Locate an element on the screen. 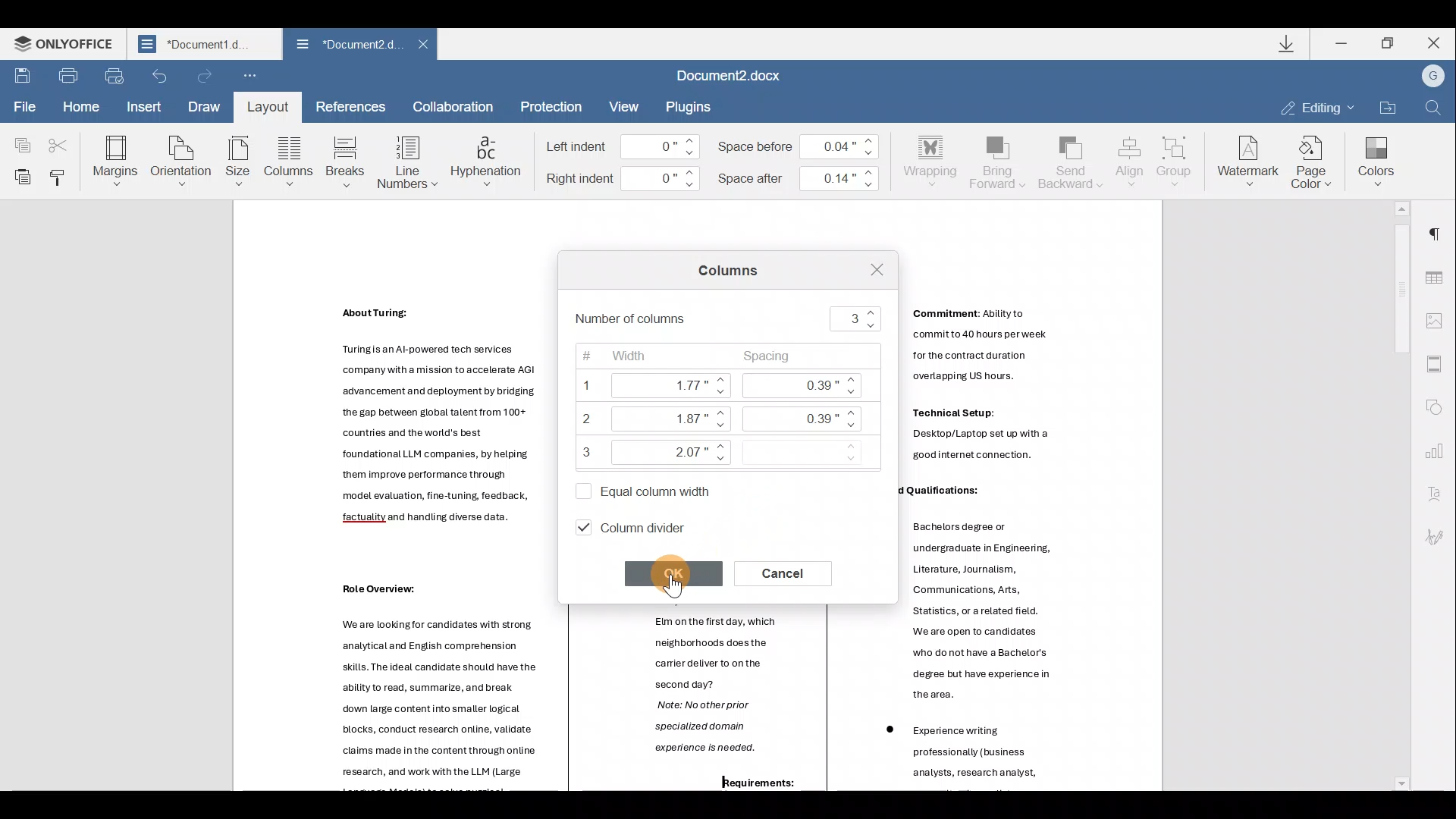  View is located at coordinates (625, 106).